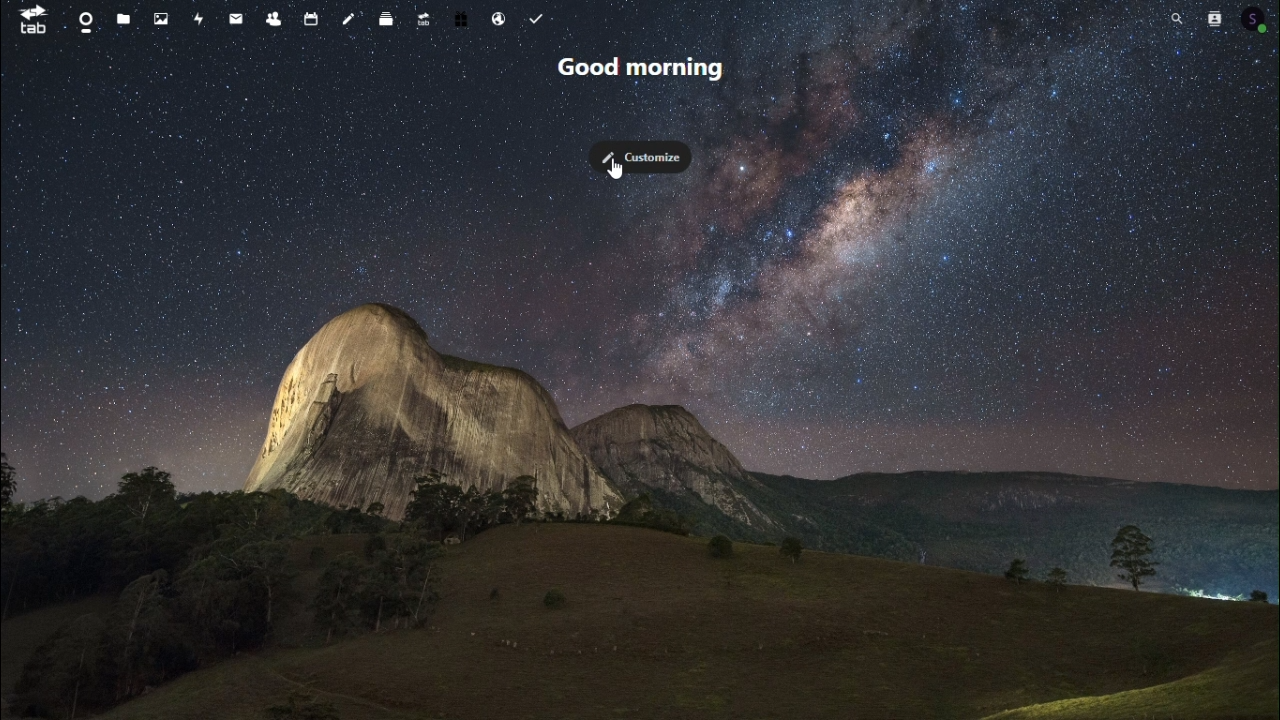 The image size is (1280, 720). Describe the element at coordinates (1211, 17) in the screenshot. I see `Contacts` at that location.